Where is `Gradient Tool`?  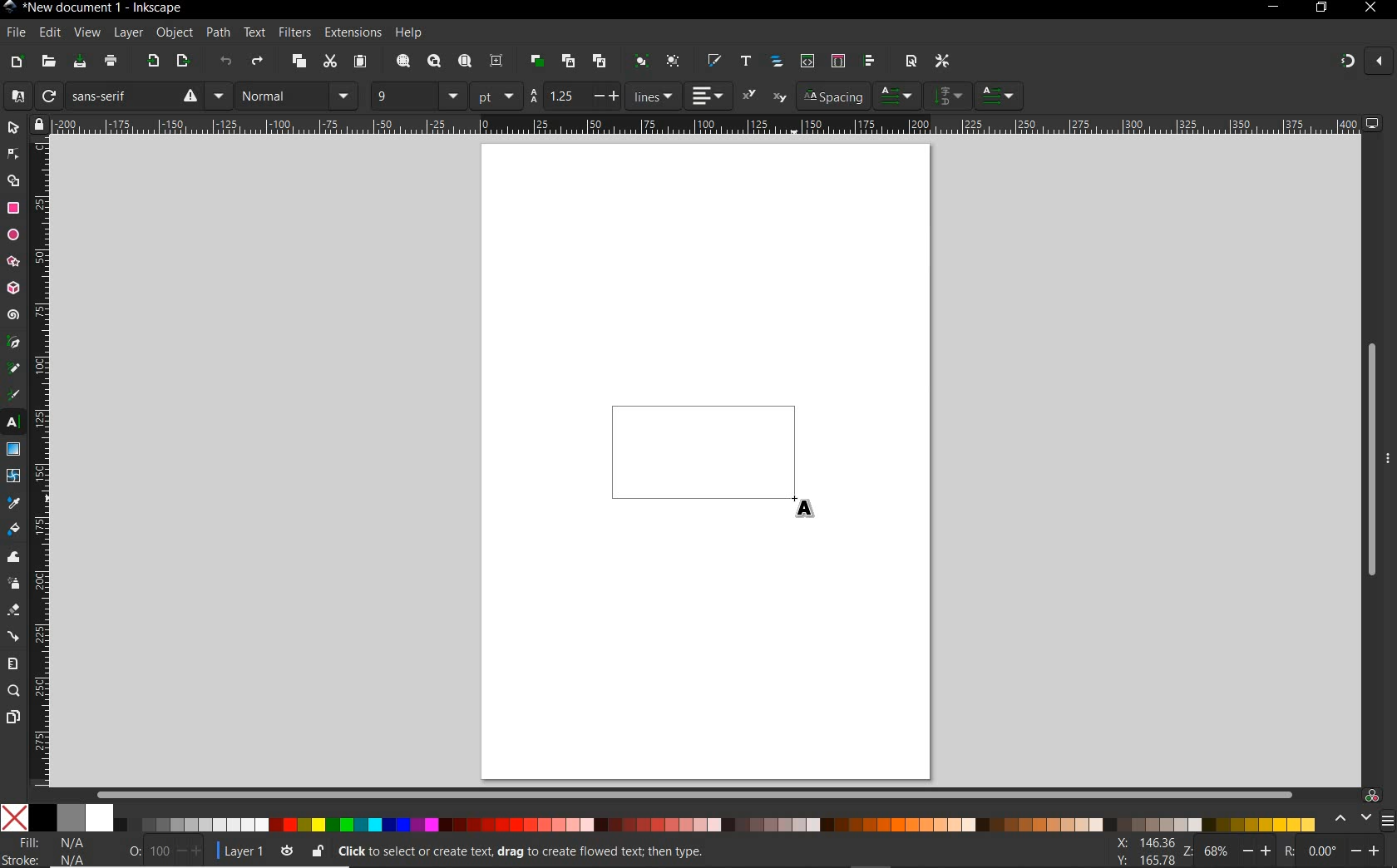 Gradient Tool is located at coordinates (13, 450).